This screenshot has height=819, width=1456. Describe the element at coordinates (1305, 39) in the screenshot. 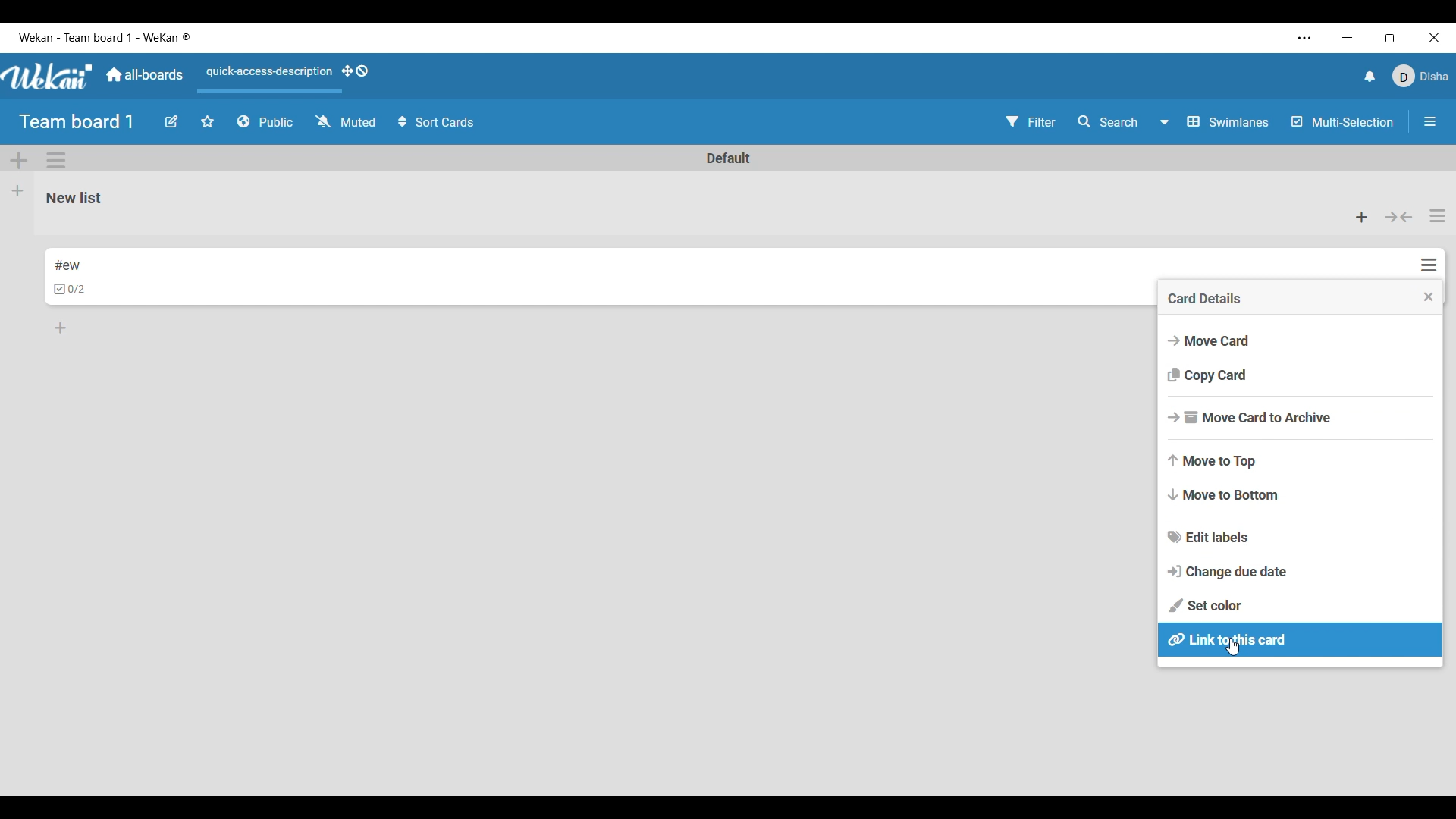

I see `More settings` at that location.